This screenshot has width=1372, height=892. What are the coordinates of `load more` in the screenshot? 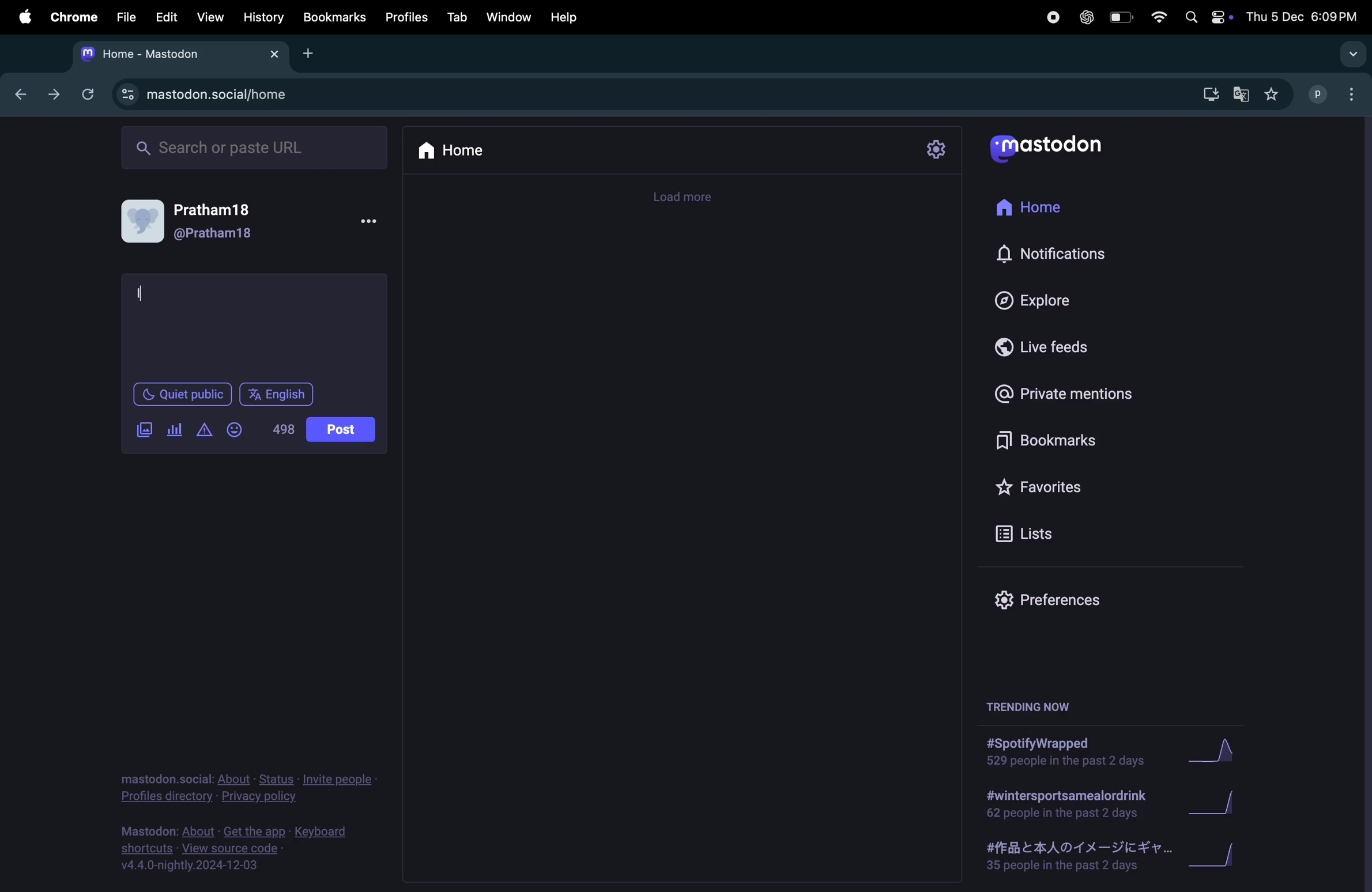 It's located at (683, 196).